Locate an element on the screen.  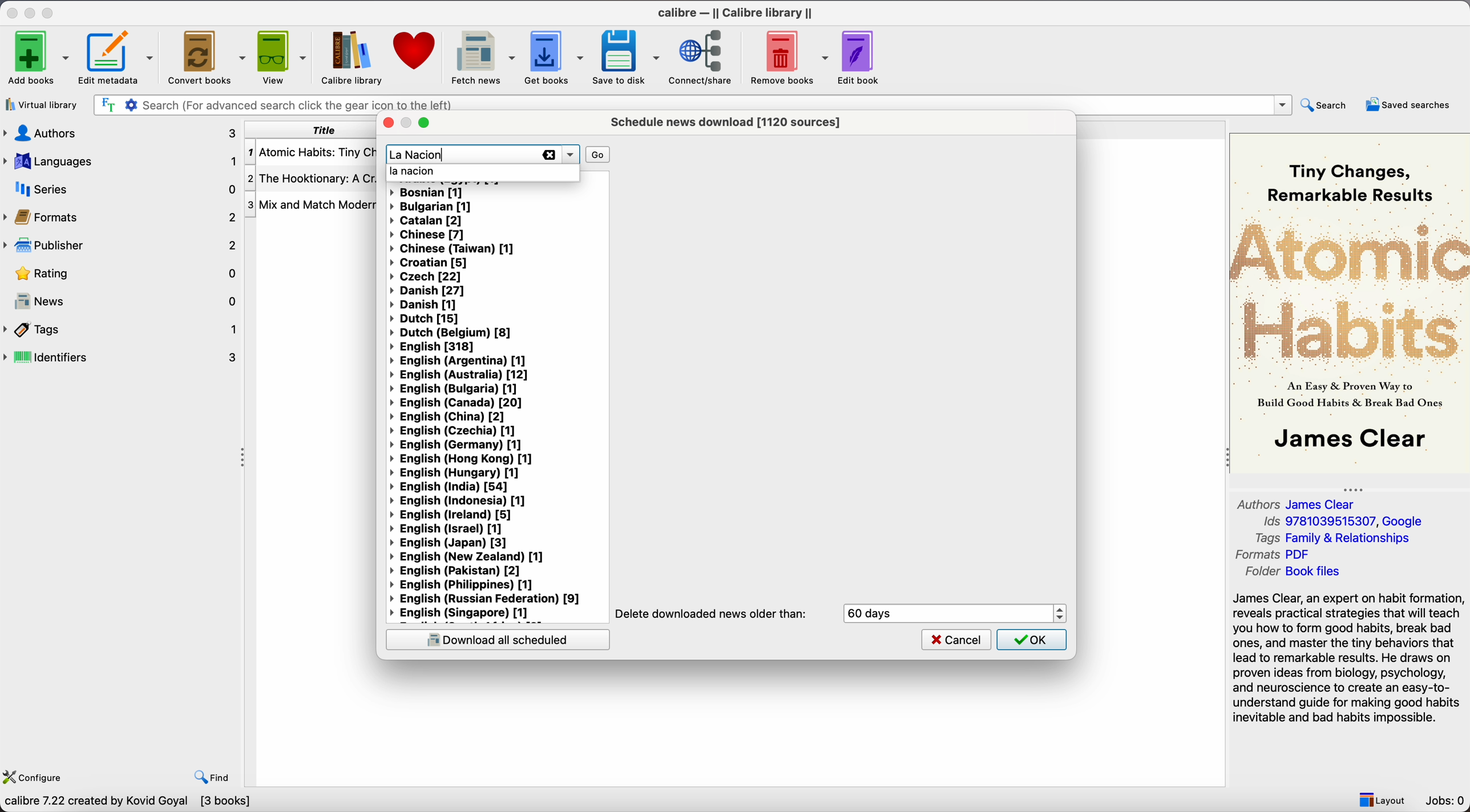
English (Philippines) [1] is located at coordinates (470, 585).